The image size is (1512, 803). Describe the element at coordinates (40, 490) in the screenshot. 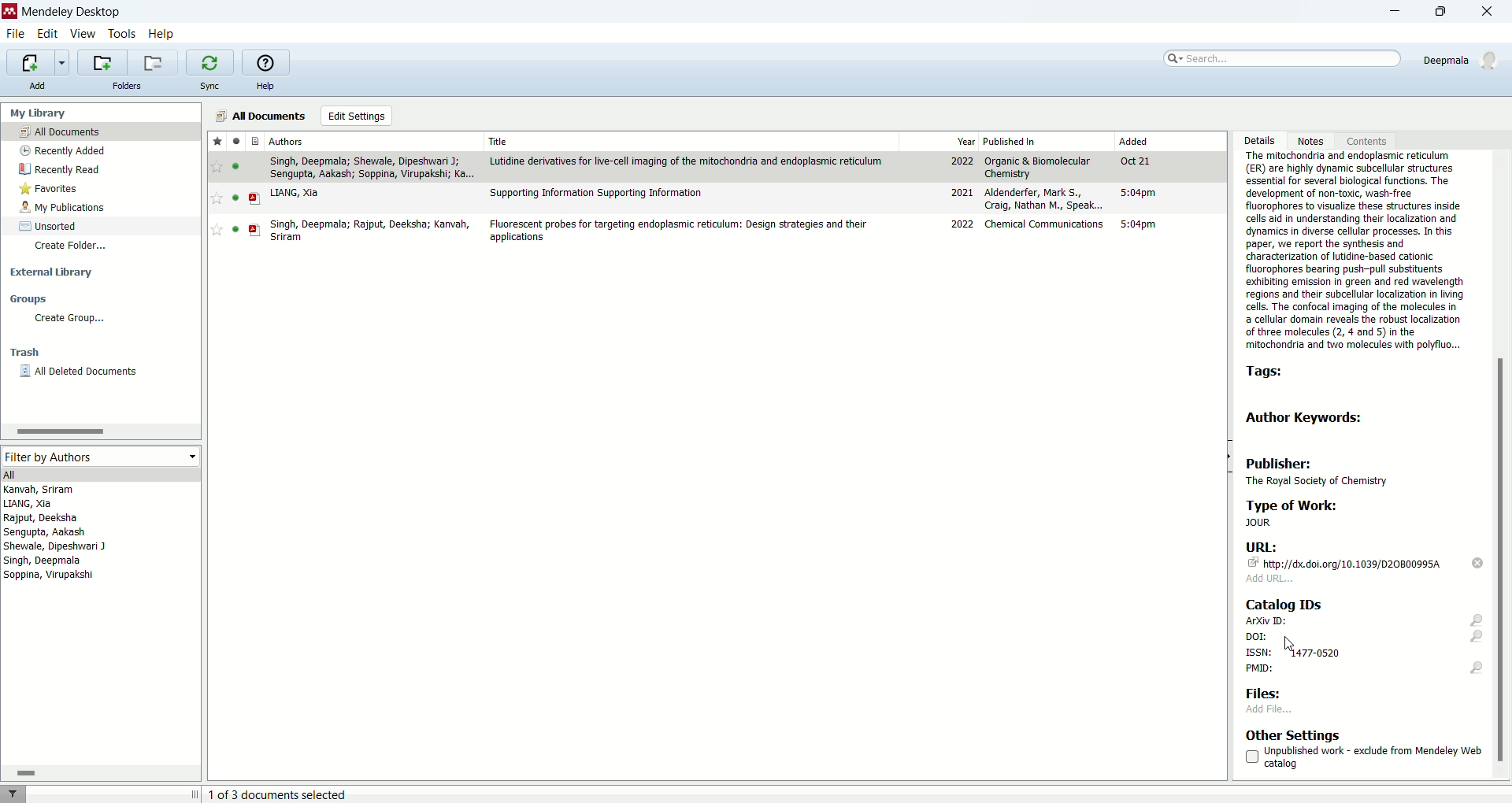

I see `kanvah, sriram` at that location.